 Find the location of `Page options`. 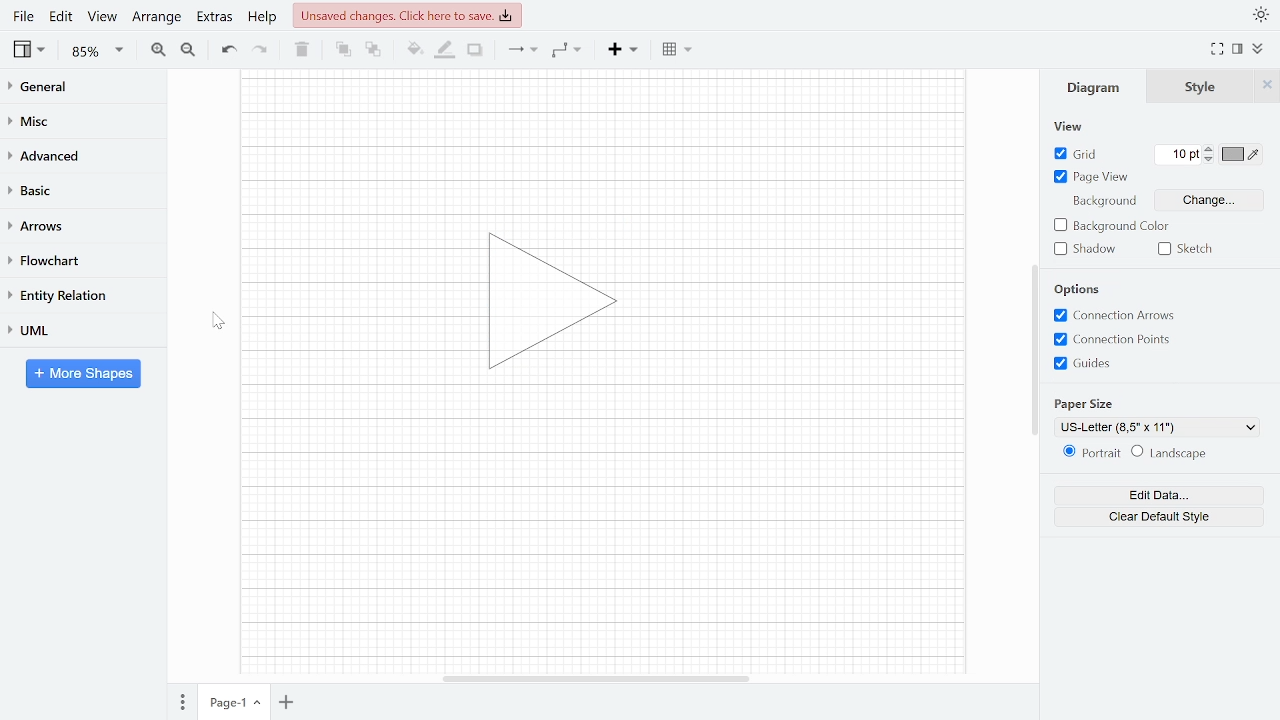

Page options is located at coordinates (260, 705).